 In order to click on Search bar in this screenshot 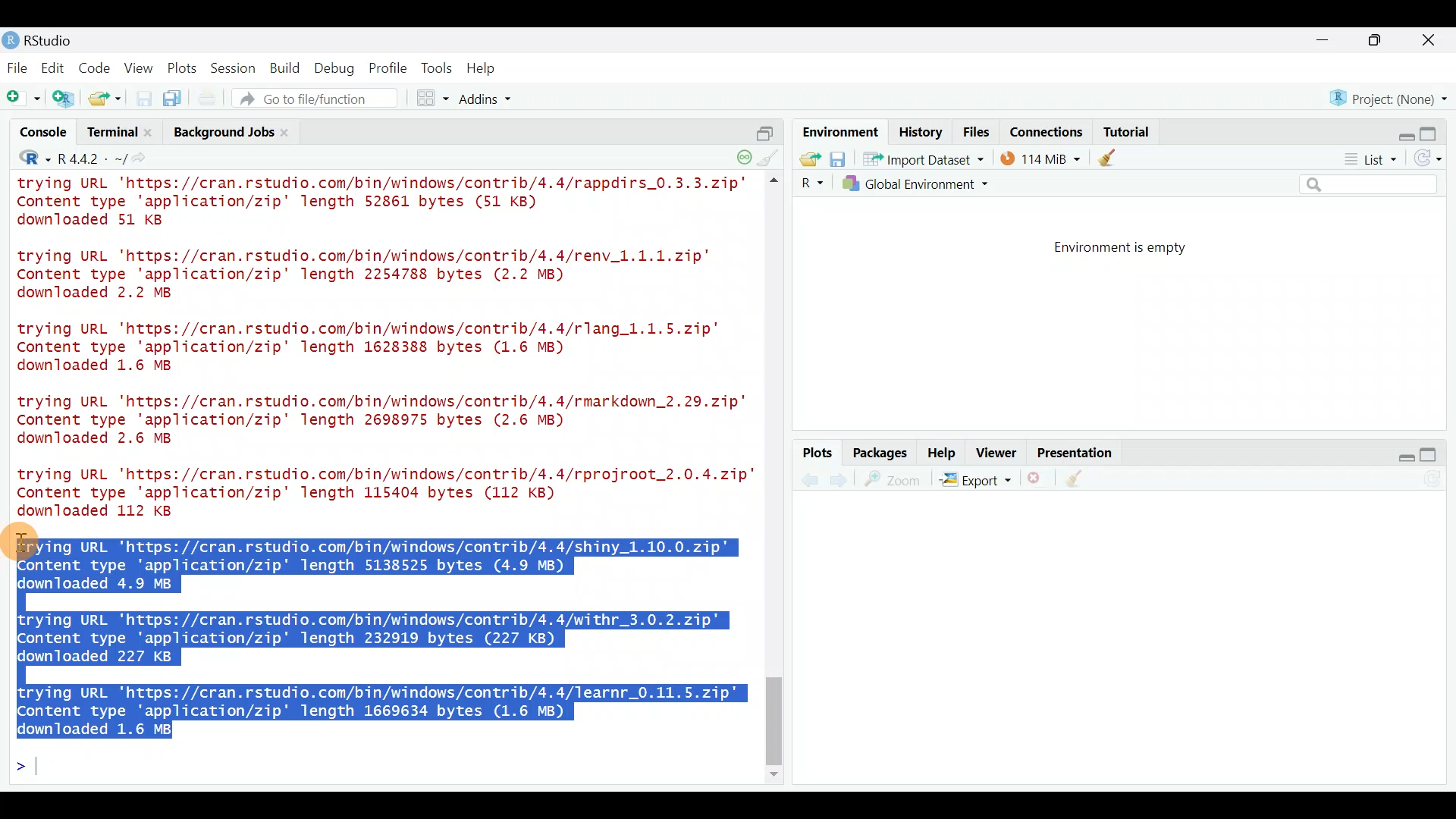, I will do `click(1371, 185)`.